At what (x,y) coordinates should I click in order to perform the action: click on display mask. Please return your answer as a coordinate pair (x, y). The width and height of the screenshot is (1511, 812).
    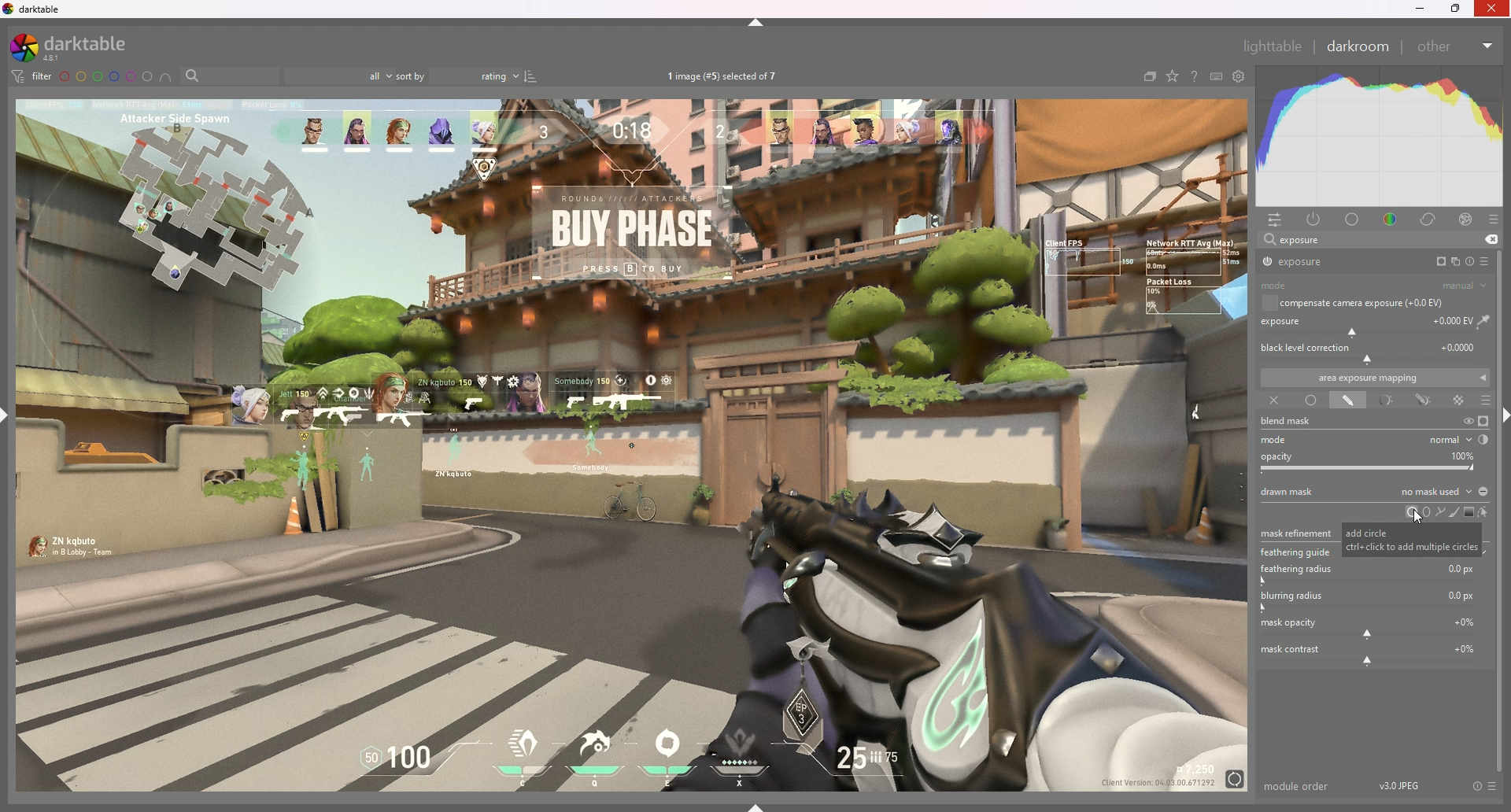
    Looking at the image, I should click on (1483, 422).